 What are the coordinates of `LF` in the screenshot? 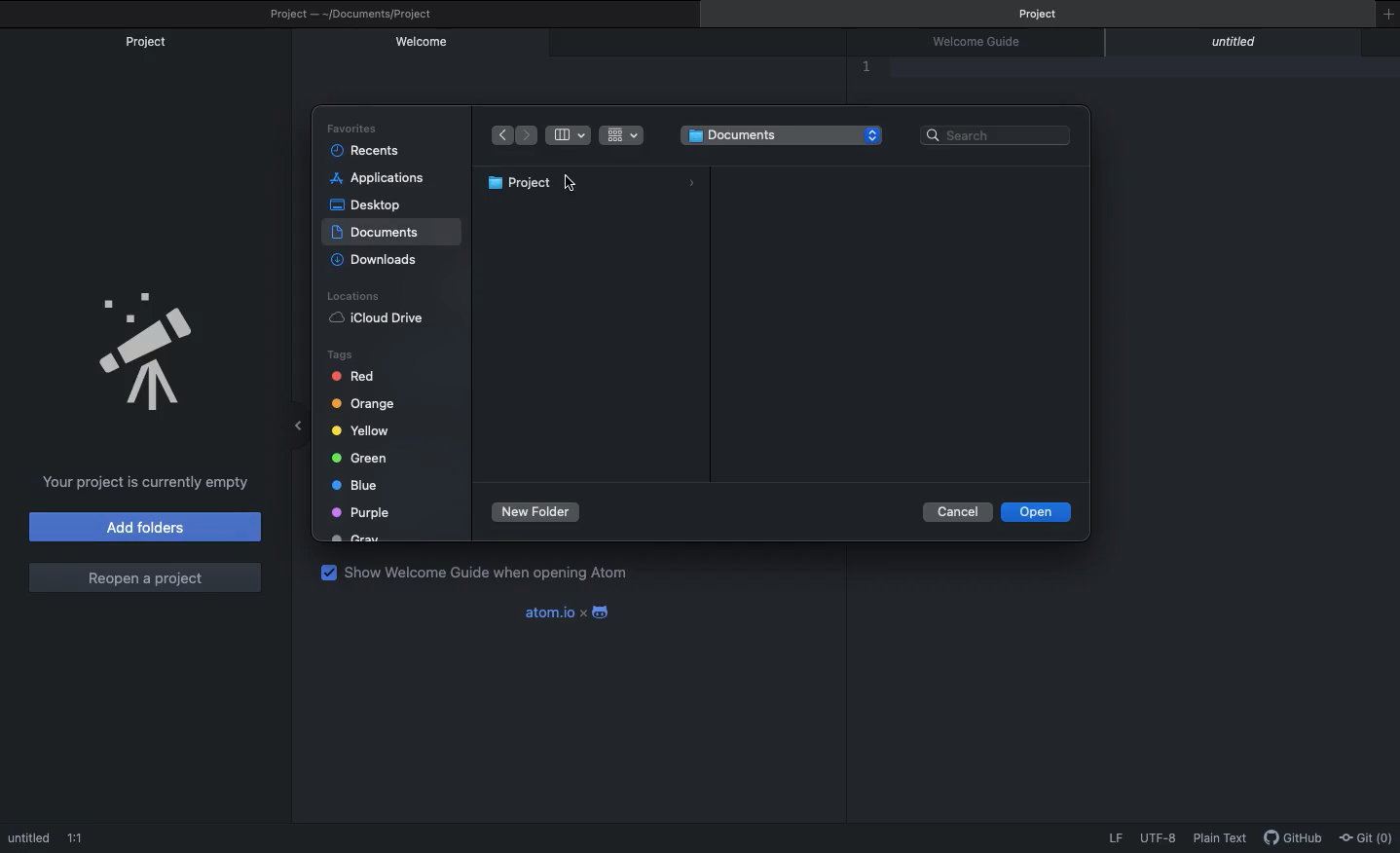 It's located at (1117, 834).